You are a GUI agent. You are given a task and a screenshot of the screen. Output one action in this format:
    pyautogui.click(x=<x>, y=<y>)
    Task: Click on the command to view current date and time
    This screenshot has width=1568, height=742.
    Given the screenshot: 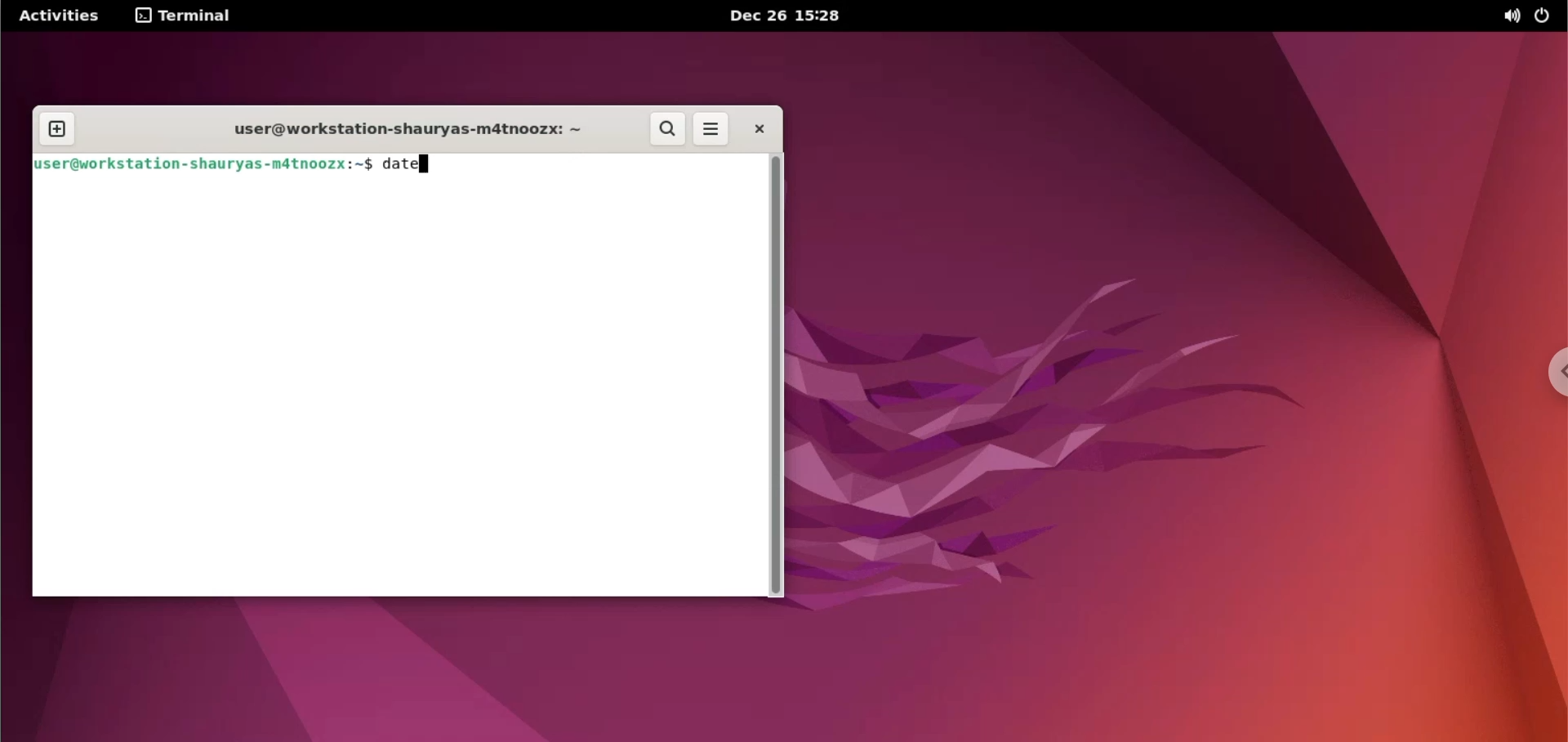 What is the action you would take?
    pyautogui.click(x=405, y=165)
    